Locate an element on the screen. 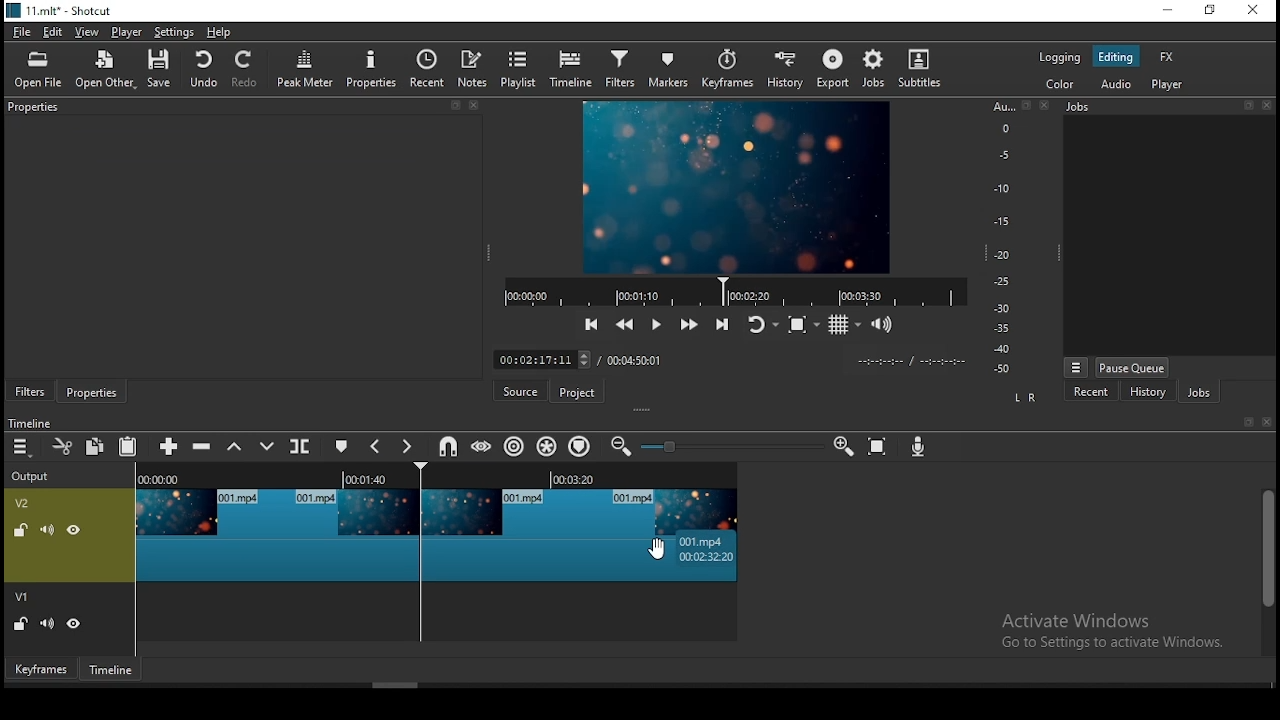 Image resolution: width=1280 pixels, height=720 pixels. overwrite is located at coordinates (267, 446).